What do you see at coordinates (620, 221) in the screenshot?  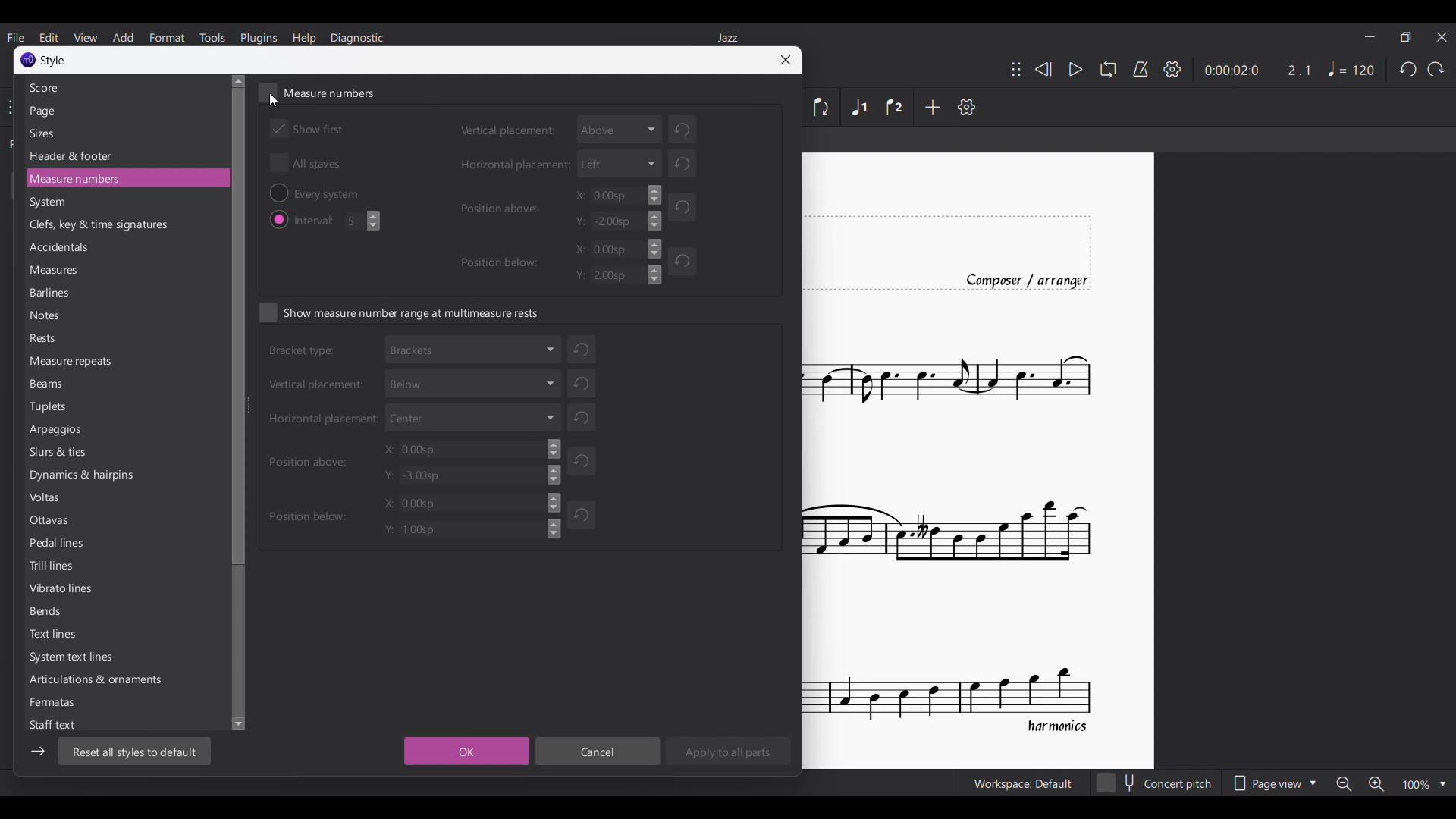 I see `Y` at bounding box center [620, 221].